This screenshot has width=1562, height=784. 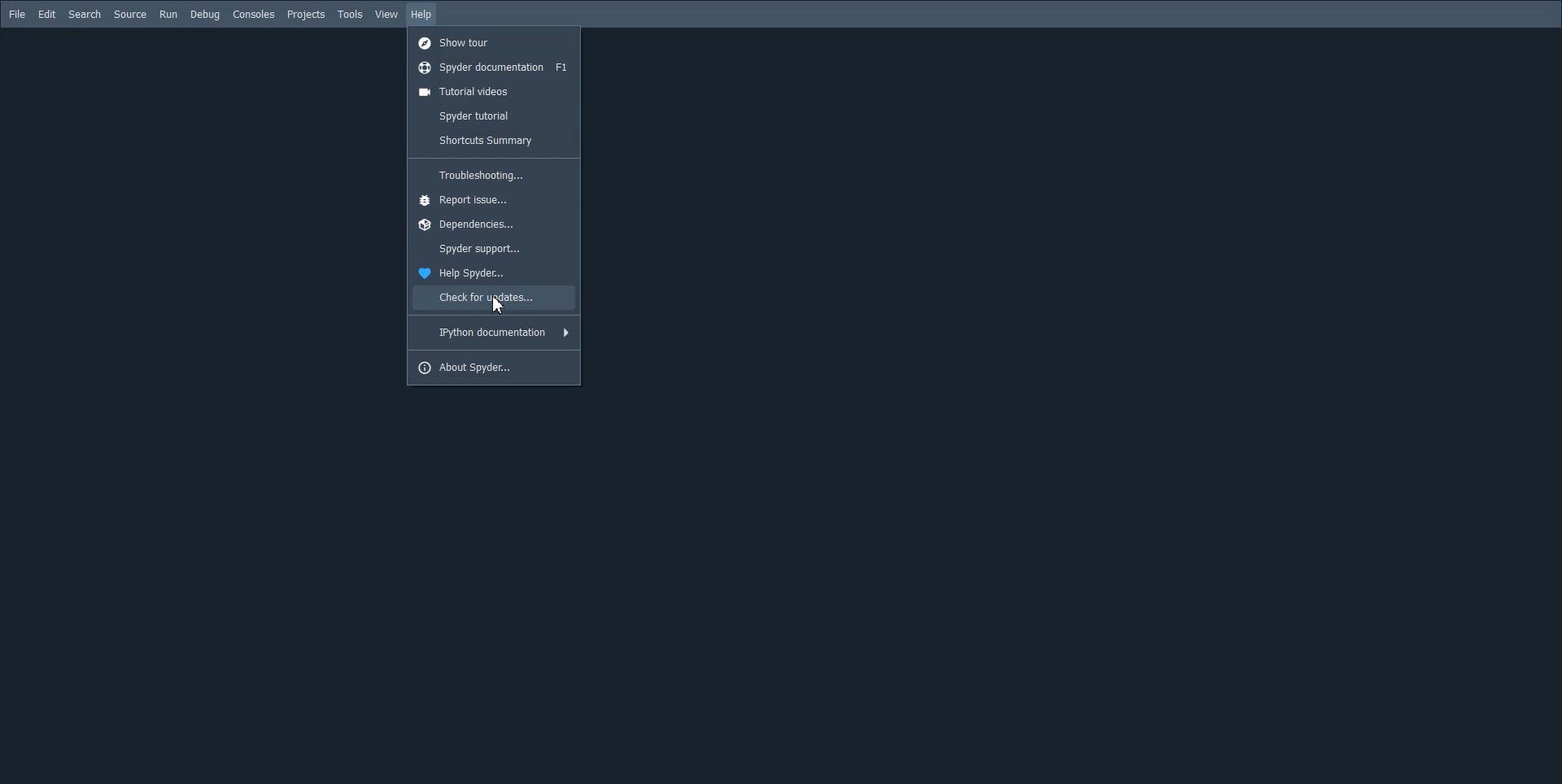 I want to click on File, so click(x=15, y=15).